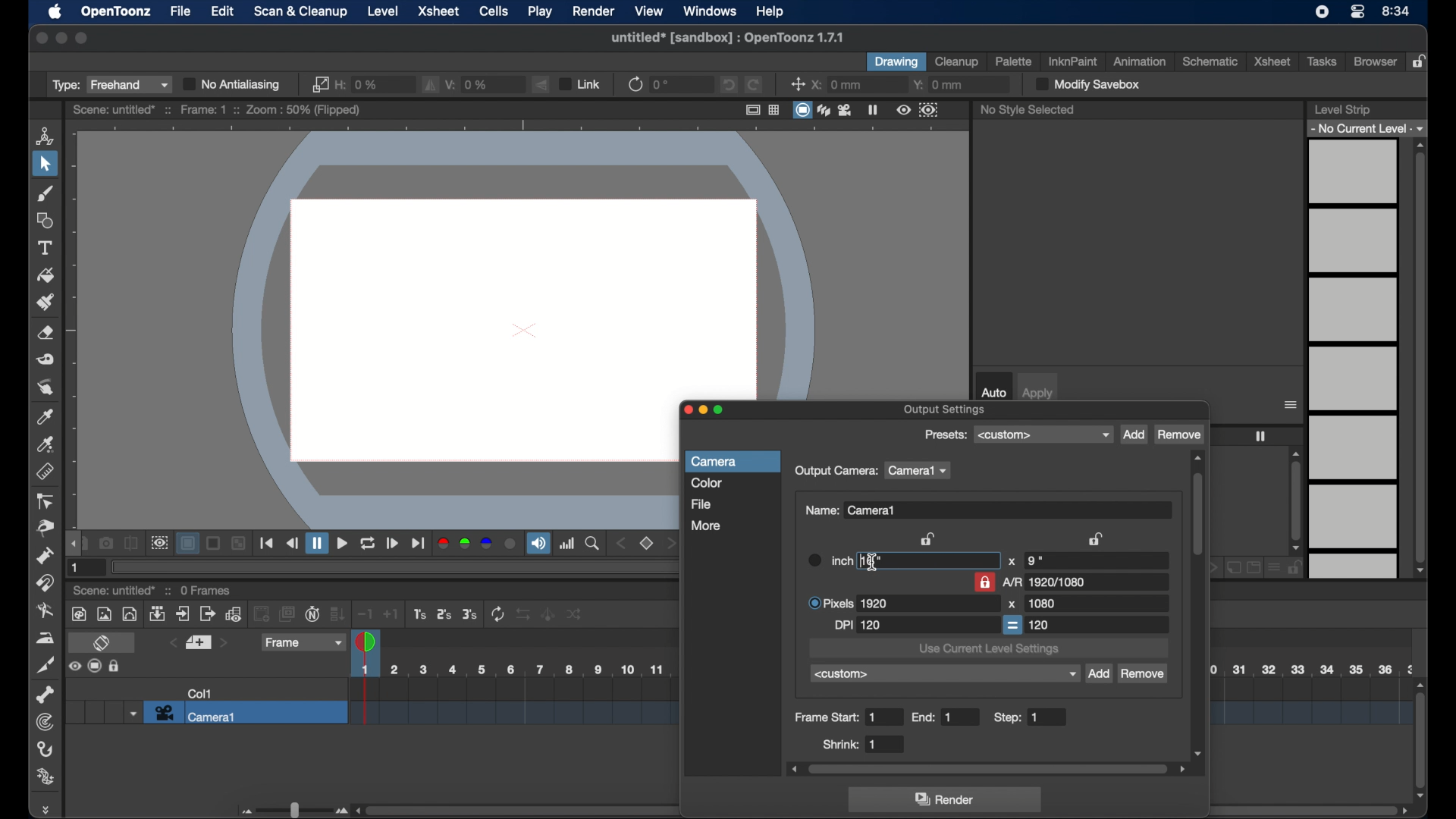  I want to click on xsheet, so click(438, 11).